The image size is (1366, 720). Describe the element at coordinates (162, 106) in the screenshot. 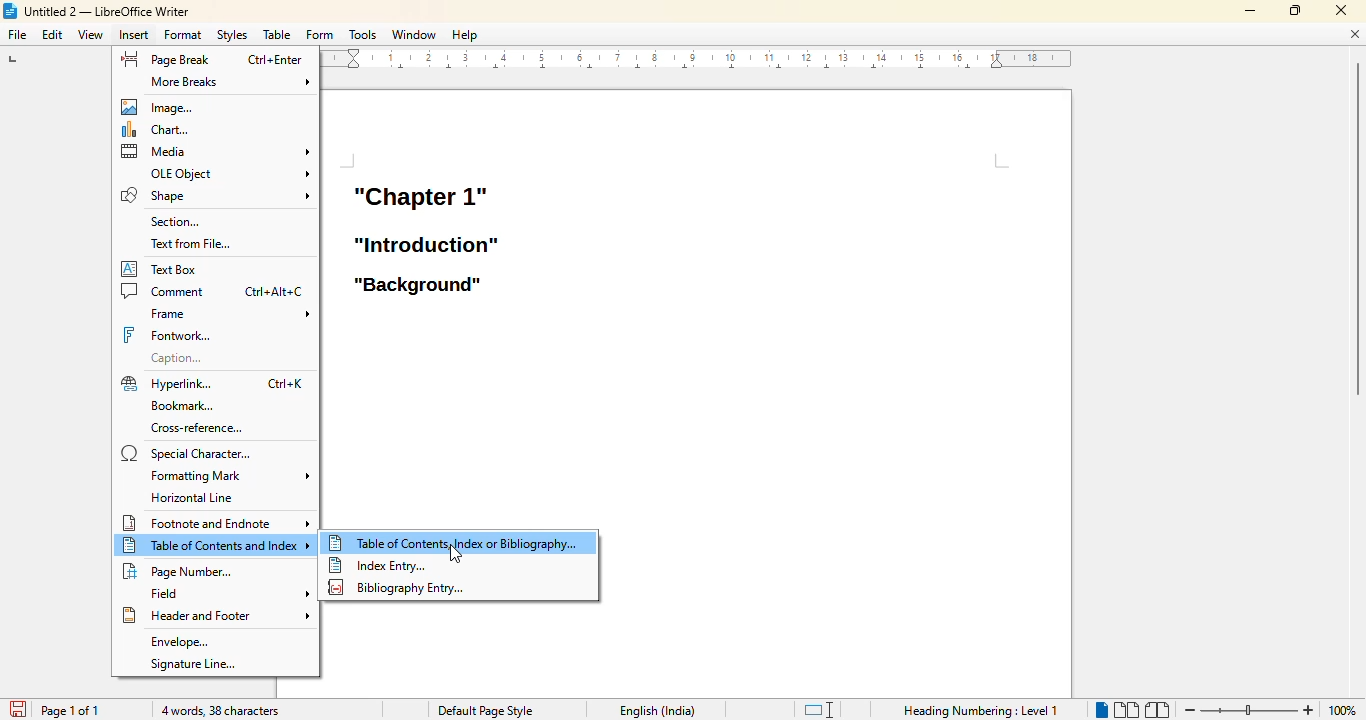

I see `image` at that location.